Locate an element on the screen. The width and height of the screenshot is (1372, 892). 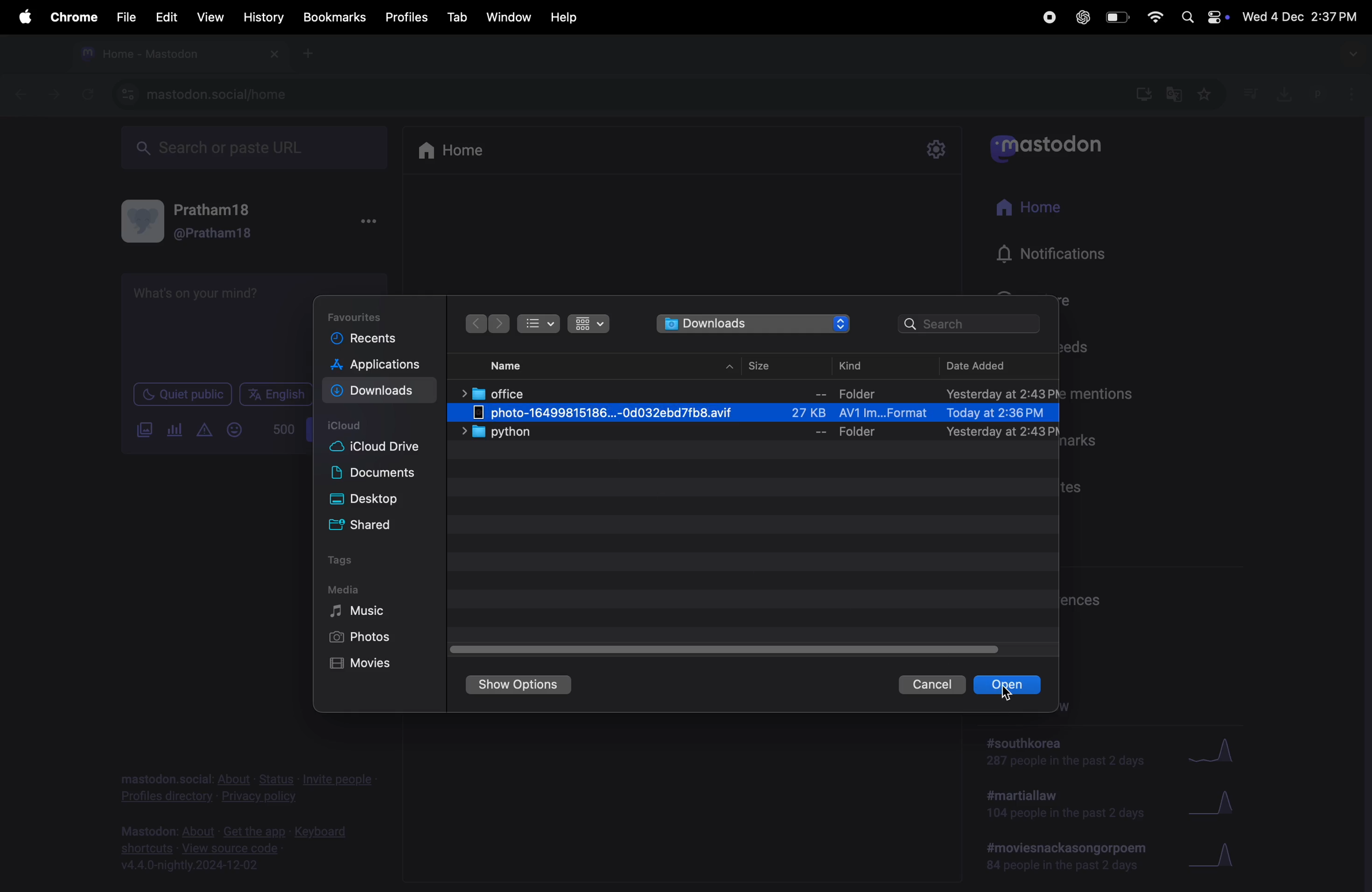
bulletlist is located at coordinates (537, 322).